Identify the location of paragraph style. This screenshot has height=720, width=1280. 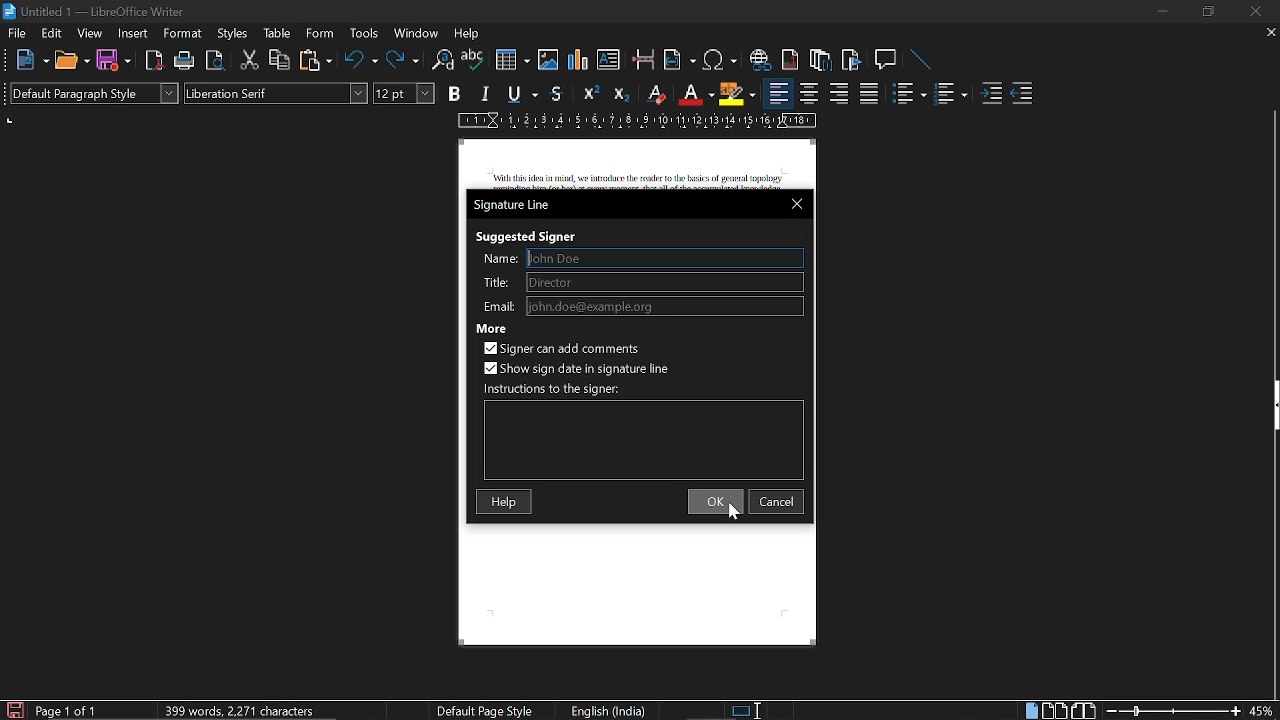
(92, 92).